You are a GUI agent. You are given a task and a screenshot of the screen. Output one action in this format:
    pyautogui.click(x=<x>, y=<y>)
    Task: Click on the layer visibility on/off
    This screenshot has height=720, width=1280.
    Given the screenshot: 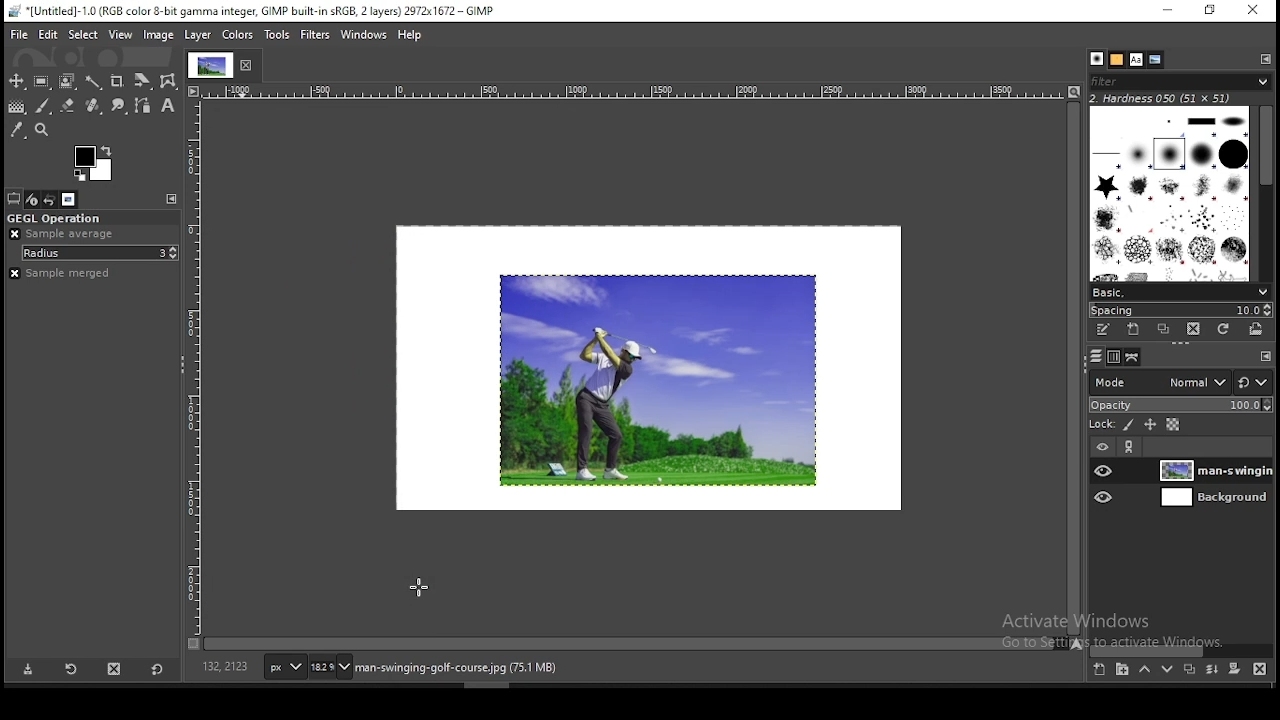 What is the action you would take?
    pyautogui.click(x=1102, y=471)
    